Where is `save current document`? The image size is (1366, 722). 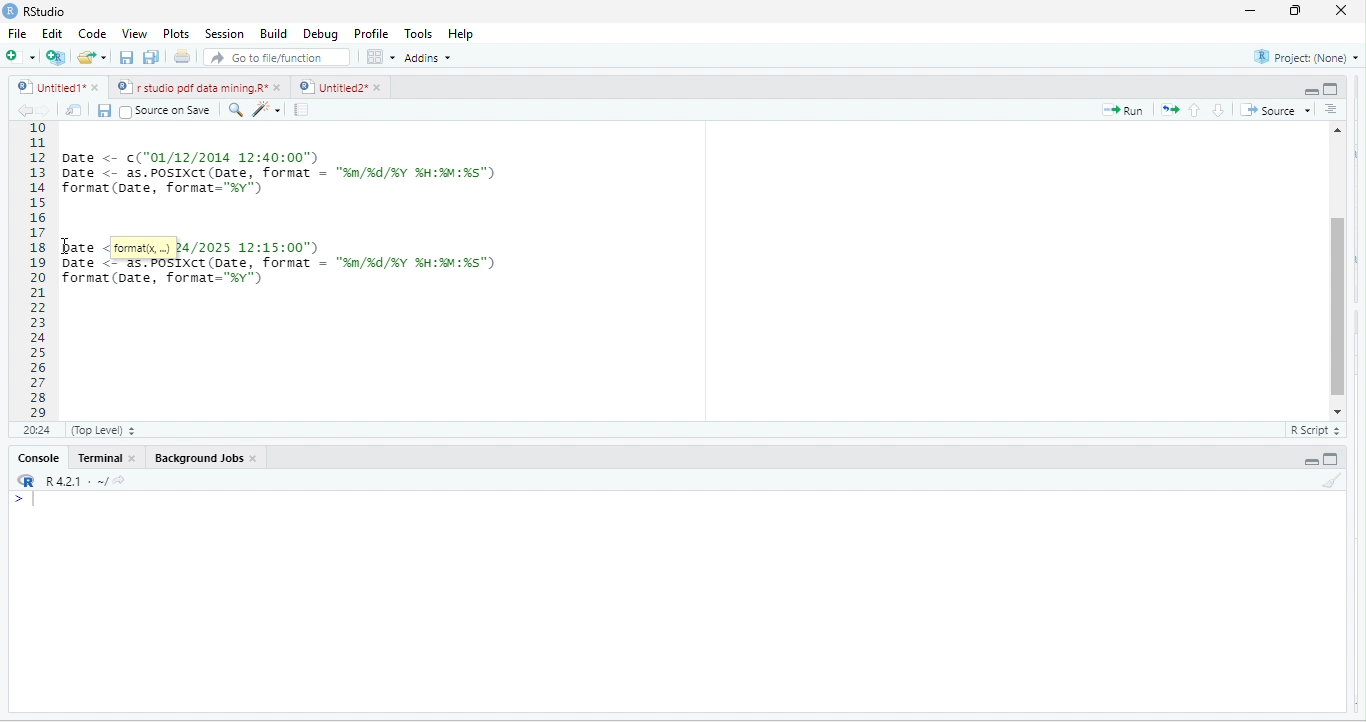 save current document is located at coordinates (125, 60).